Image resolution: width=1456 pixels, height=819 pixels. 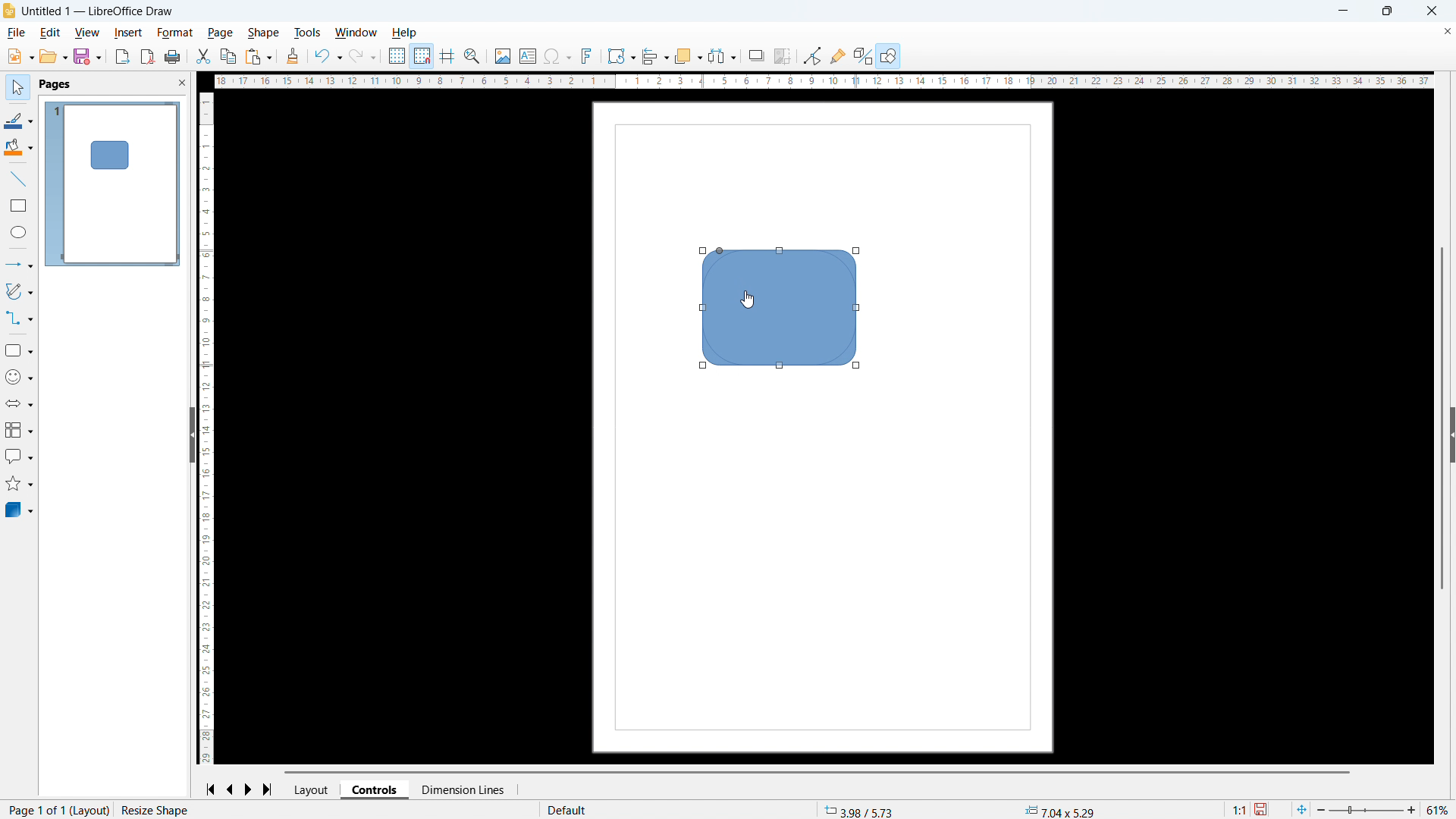 I want to click on Close document , so click(x=1446, y=33).